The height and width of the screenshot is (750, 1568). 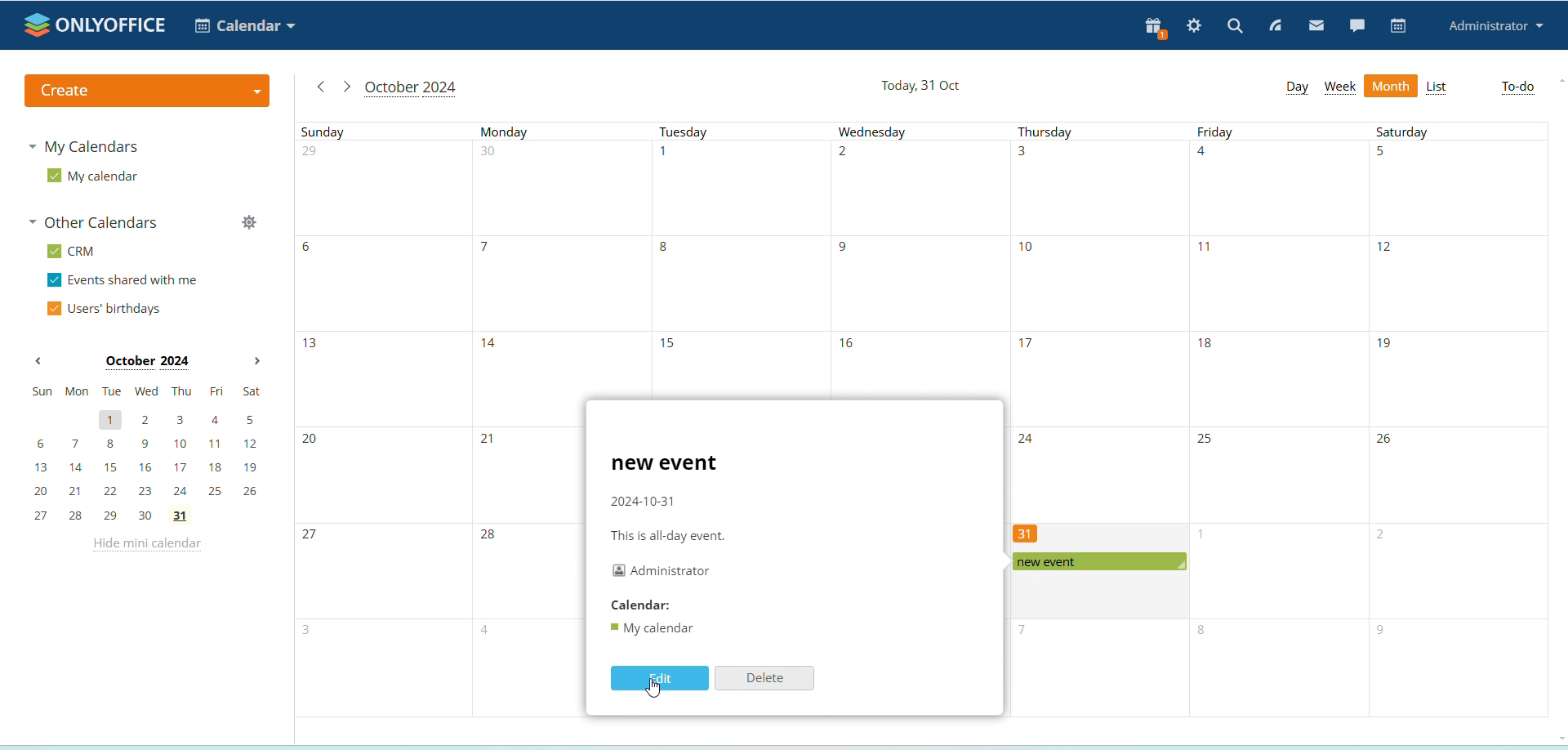 What do you see at coordinates (126, 281) in the screenshot?
I see `events shared with me` at bounding box center [126, 281].